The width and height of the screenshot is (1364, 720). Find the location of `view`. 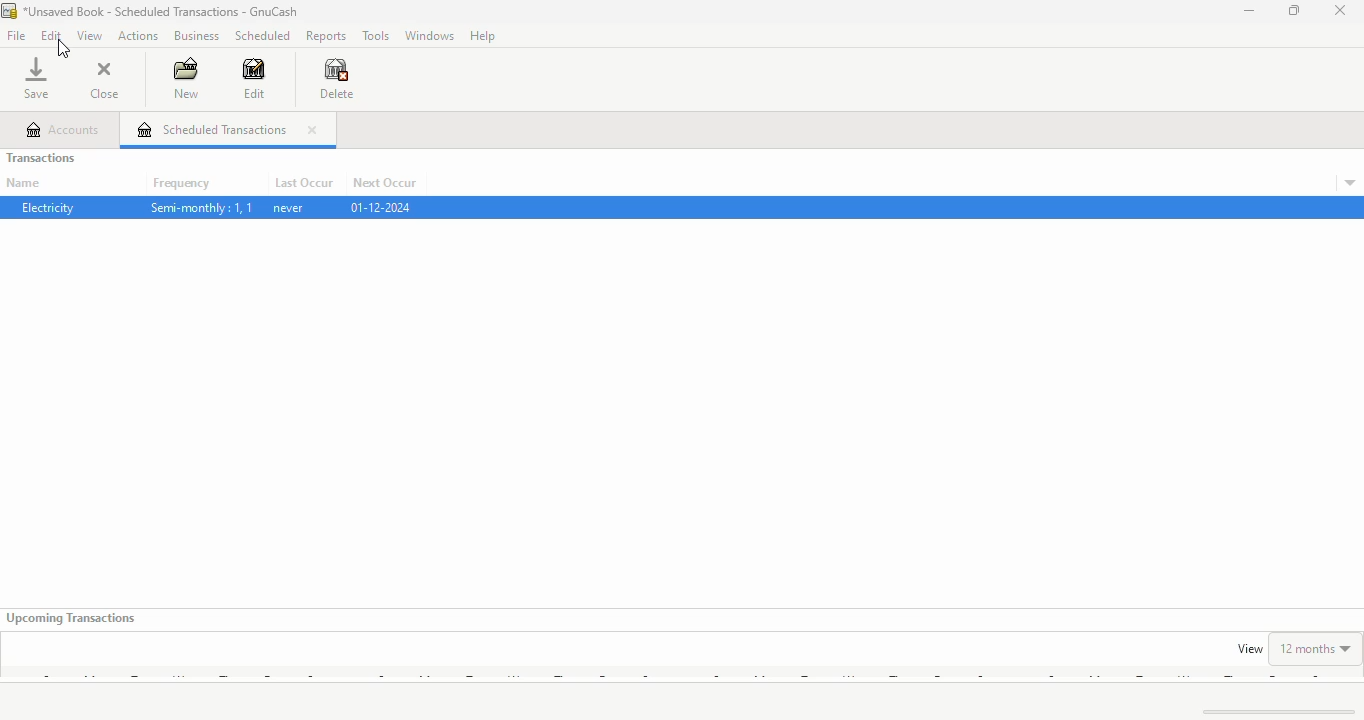

view is located at coordinates (90, 36).